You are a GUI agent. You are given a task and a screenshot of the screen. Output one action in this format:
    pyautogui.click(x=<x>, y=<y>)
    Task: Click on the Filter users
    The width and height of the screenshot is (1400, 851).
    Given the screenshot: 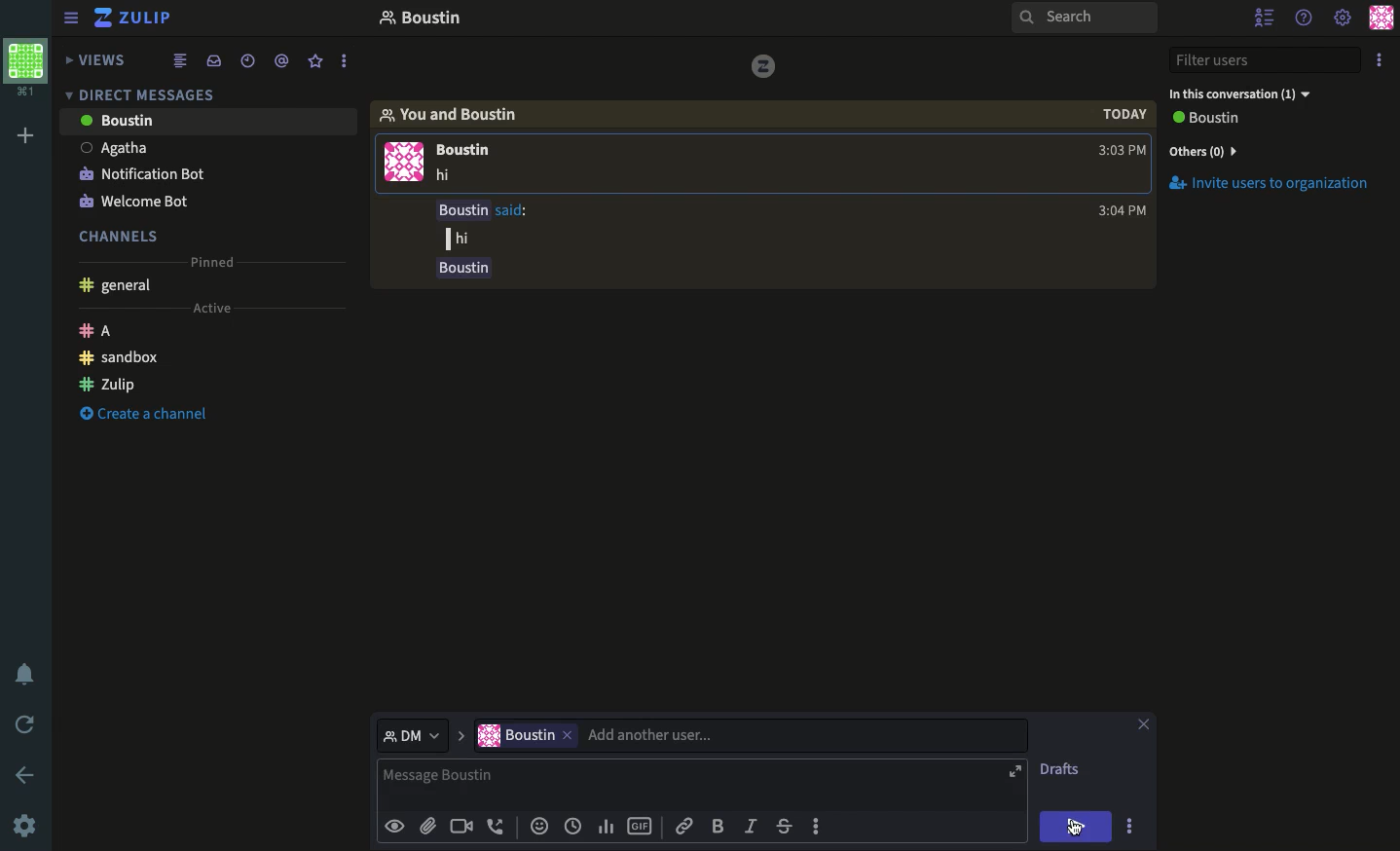 What is the action you would take?
    pyautogui.click(x=1268, y=61)
    